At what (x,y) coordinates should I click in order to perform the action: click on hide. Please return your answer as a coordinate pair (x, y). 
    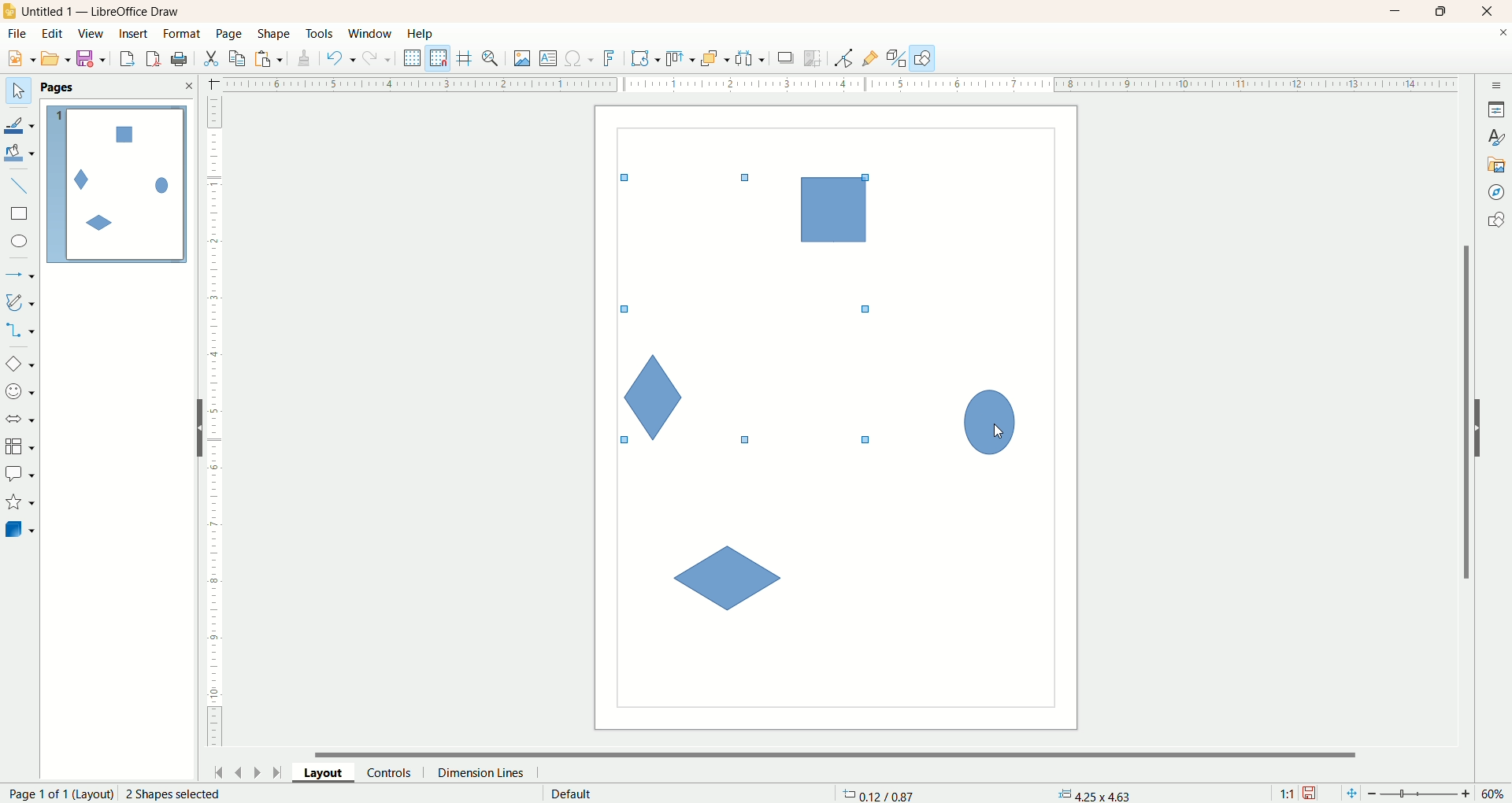
    Looking at the image, I should click on (1486, 425).